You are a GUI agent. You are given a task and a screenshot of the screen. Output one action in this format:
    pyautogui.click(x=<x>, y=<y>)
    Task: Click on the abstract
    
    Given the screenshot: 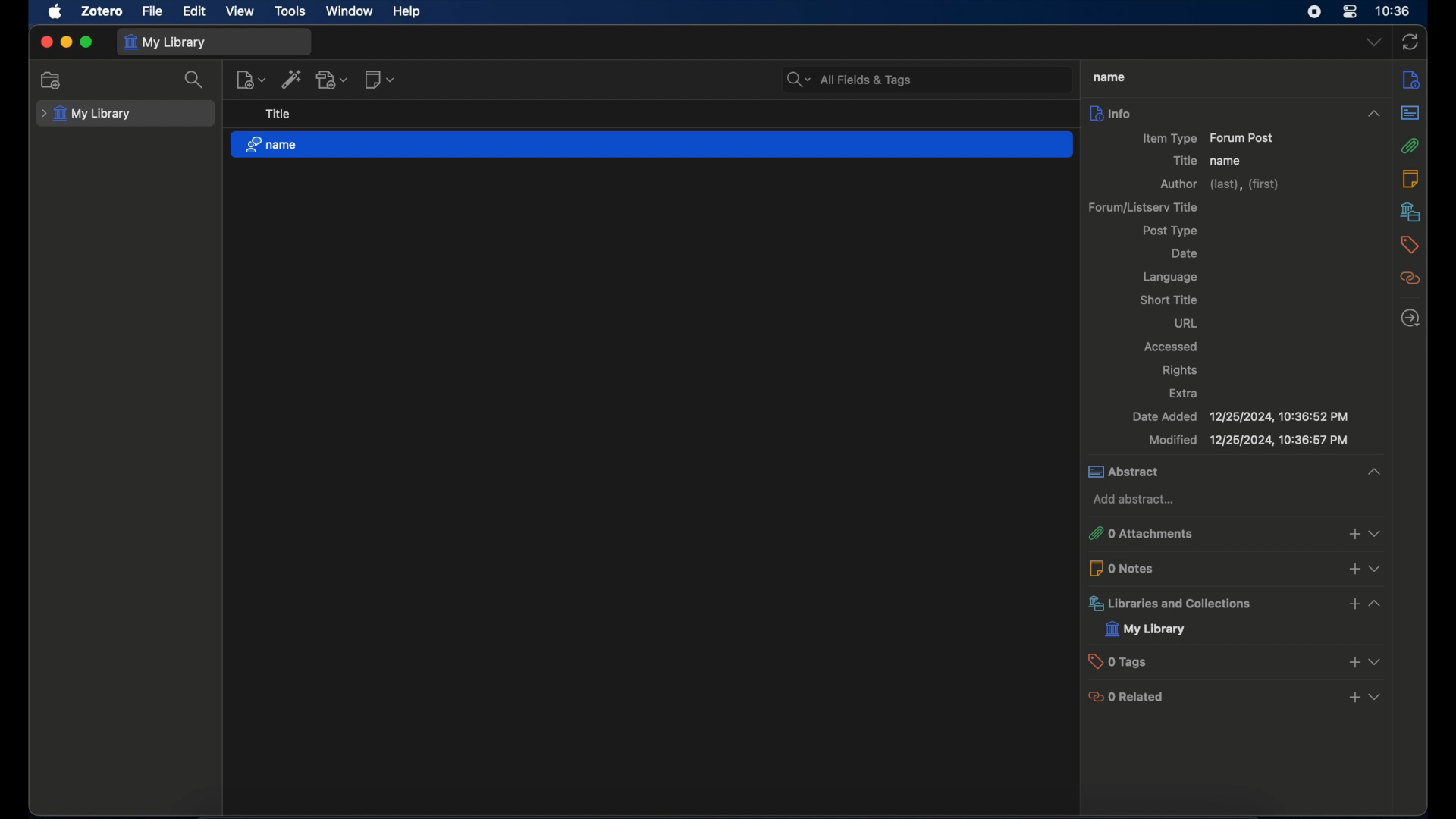 What is the action you would take?
    pyautogui.click(x=1235, y=472)
    